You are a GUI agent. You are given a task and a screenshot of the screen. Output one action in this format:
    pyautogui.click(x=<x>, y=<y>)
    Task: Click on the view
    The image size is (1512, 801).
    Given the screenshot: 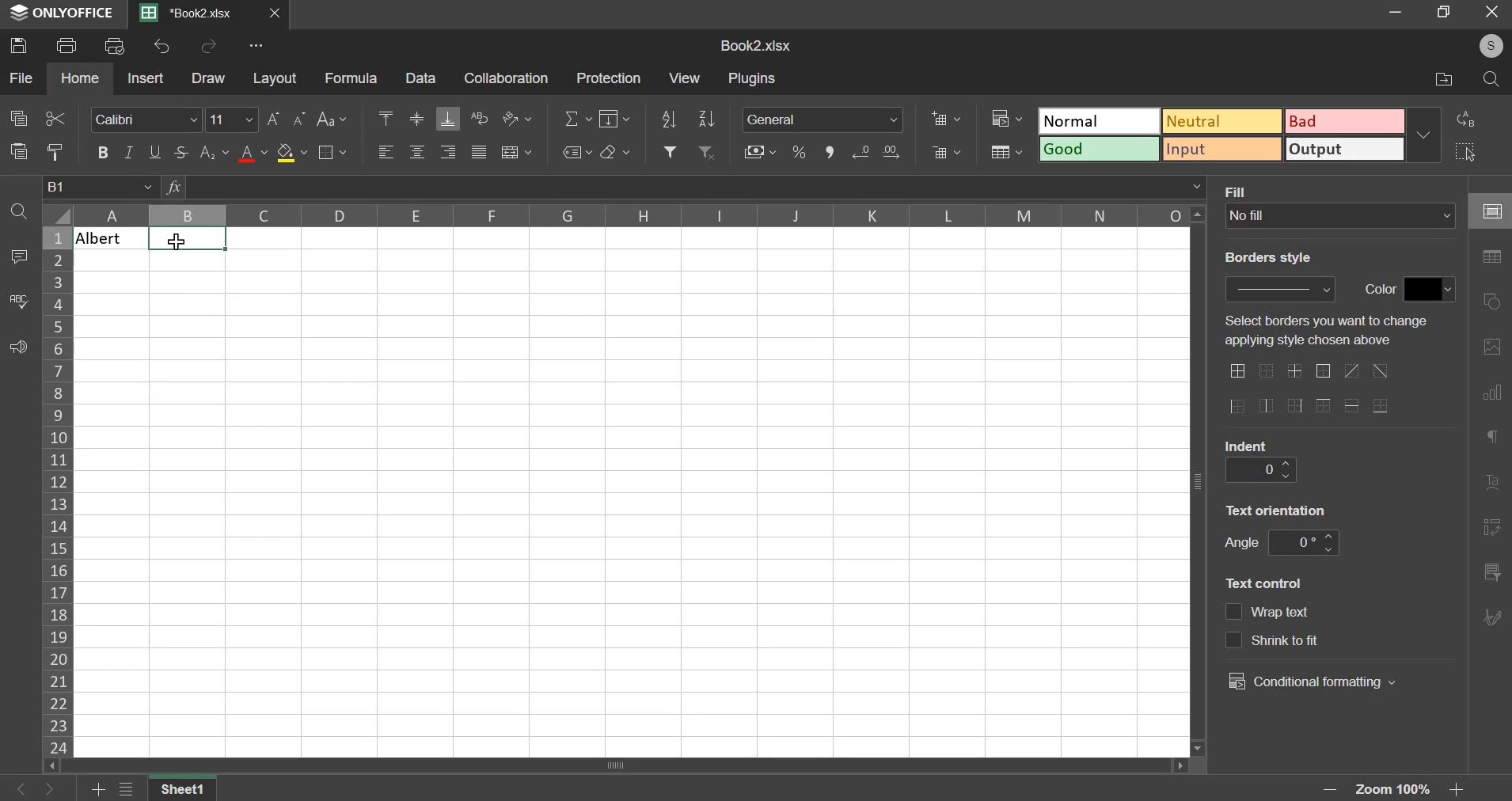 What is the action you would take?
    pyautogui.click(x=686, y=78)
    